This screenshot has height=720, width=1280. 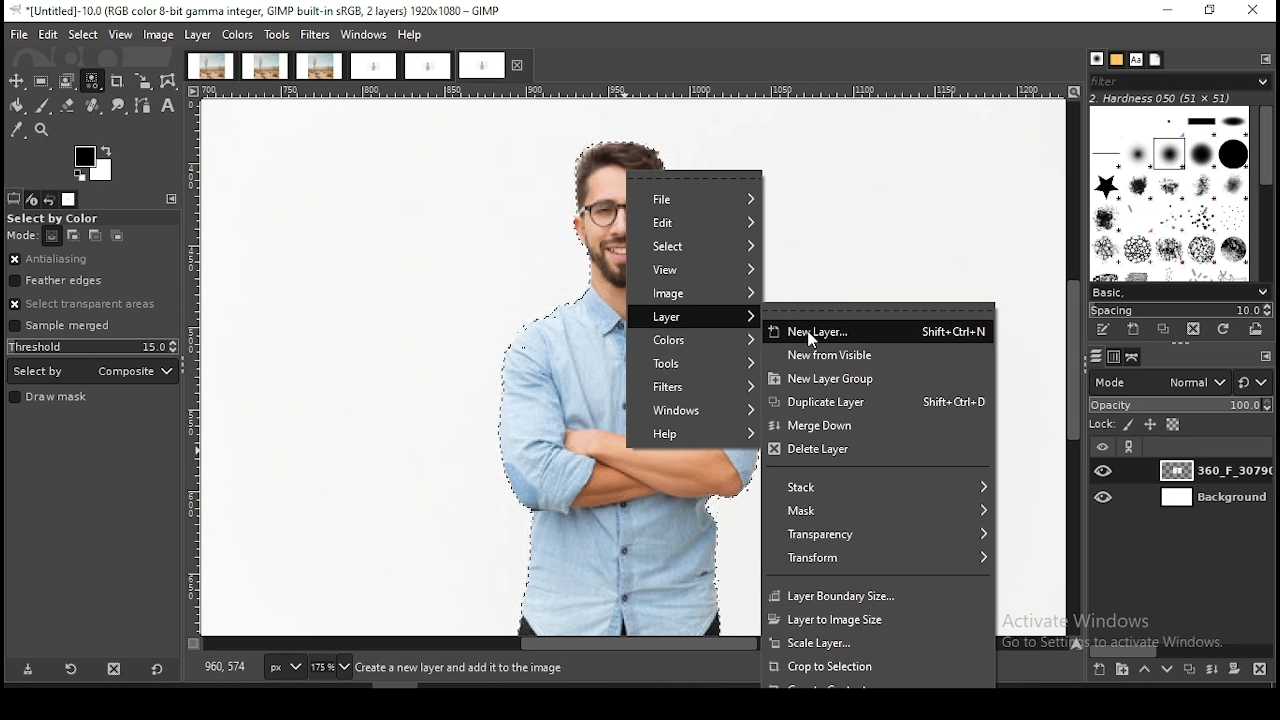 What do you see at coordinates (469, 668) in the screenshot?
I see `create new layer and add it to the image` at bounding box center [469, 668].